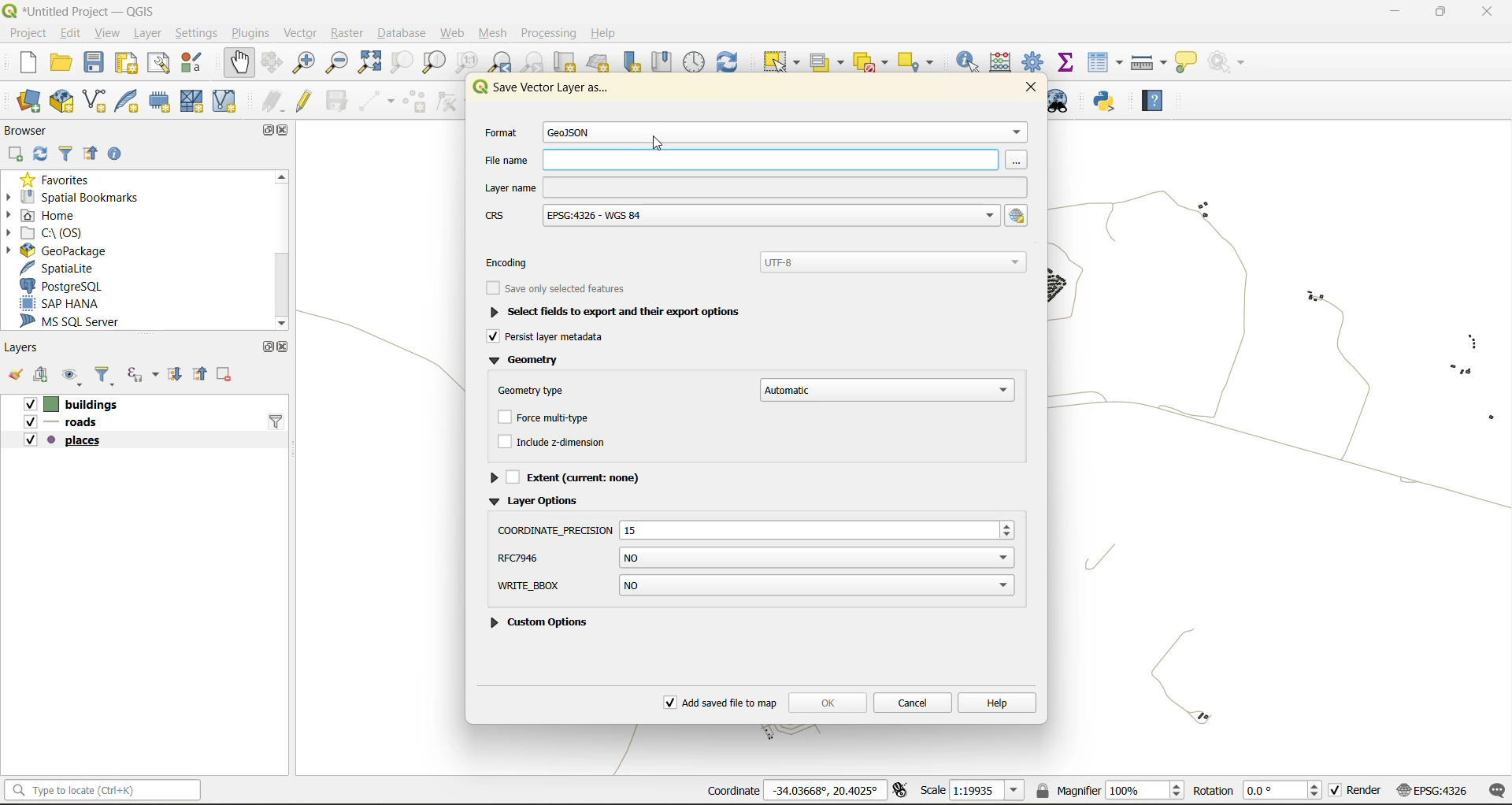 Image resolution: width=1512 pixels, height=805 pixels. I want to click on persist layer  metadata, so click(566, 339).